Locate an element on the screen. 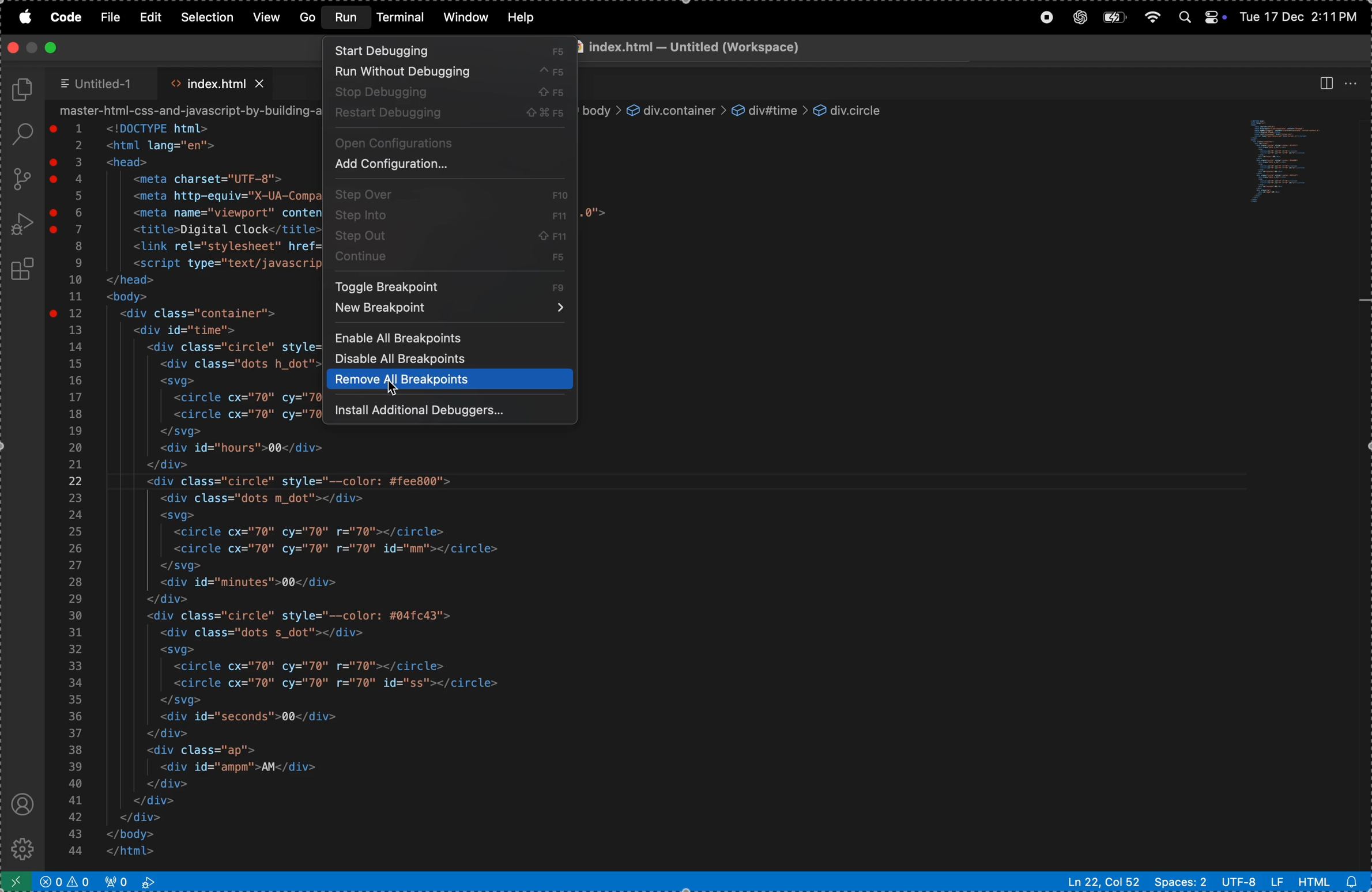 This screenshot has width=1372, height=892. enable all break point is located at coordinates (451, 338).